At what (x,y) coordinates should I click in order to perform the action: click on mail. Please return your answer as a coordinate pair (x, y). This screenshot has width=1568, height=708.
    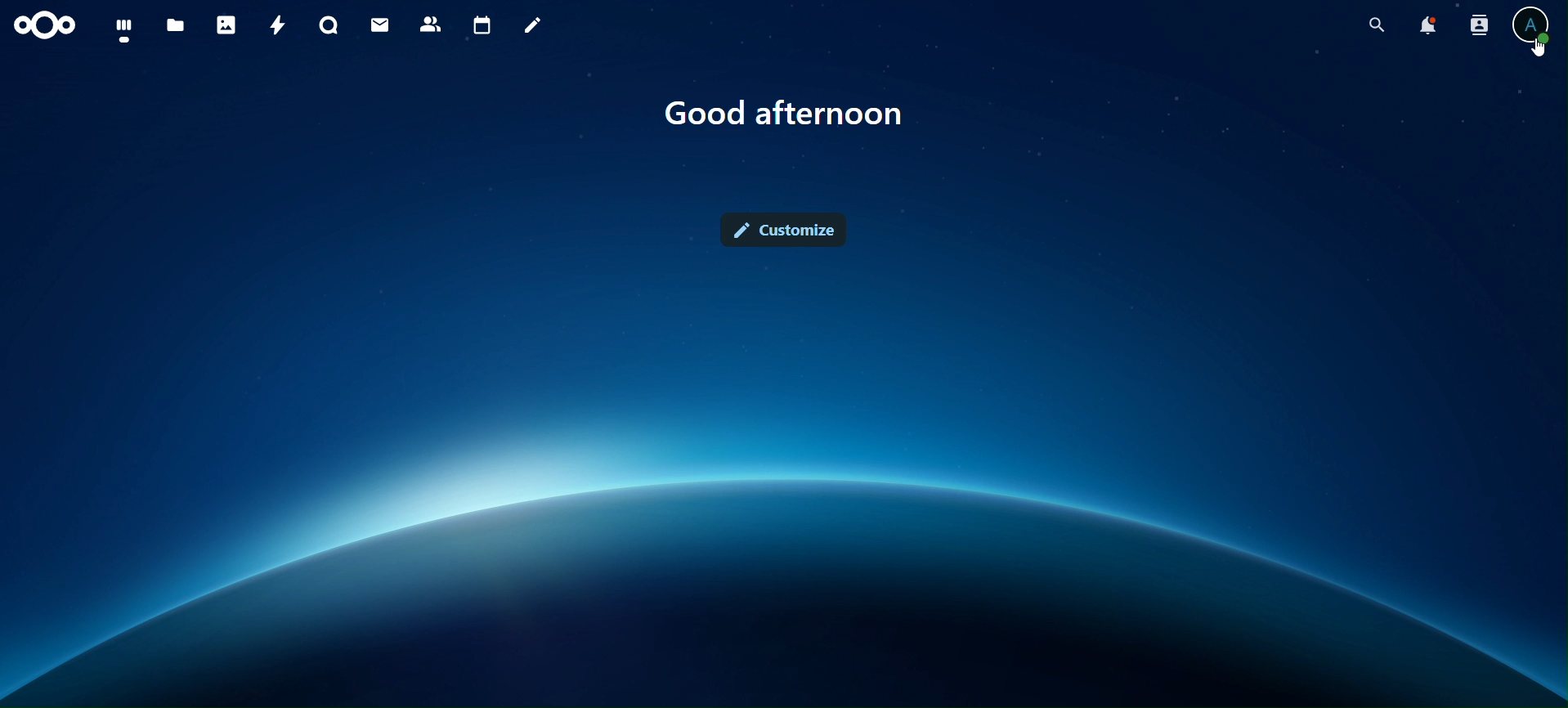
    Looking at the image, I should click on (380, 25).